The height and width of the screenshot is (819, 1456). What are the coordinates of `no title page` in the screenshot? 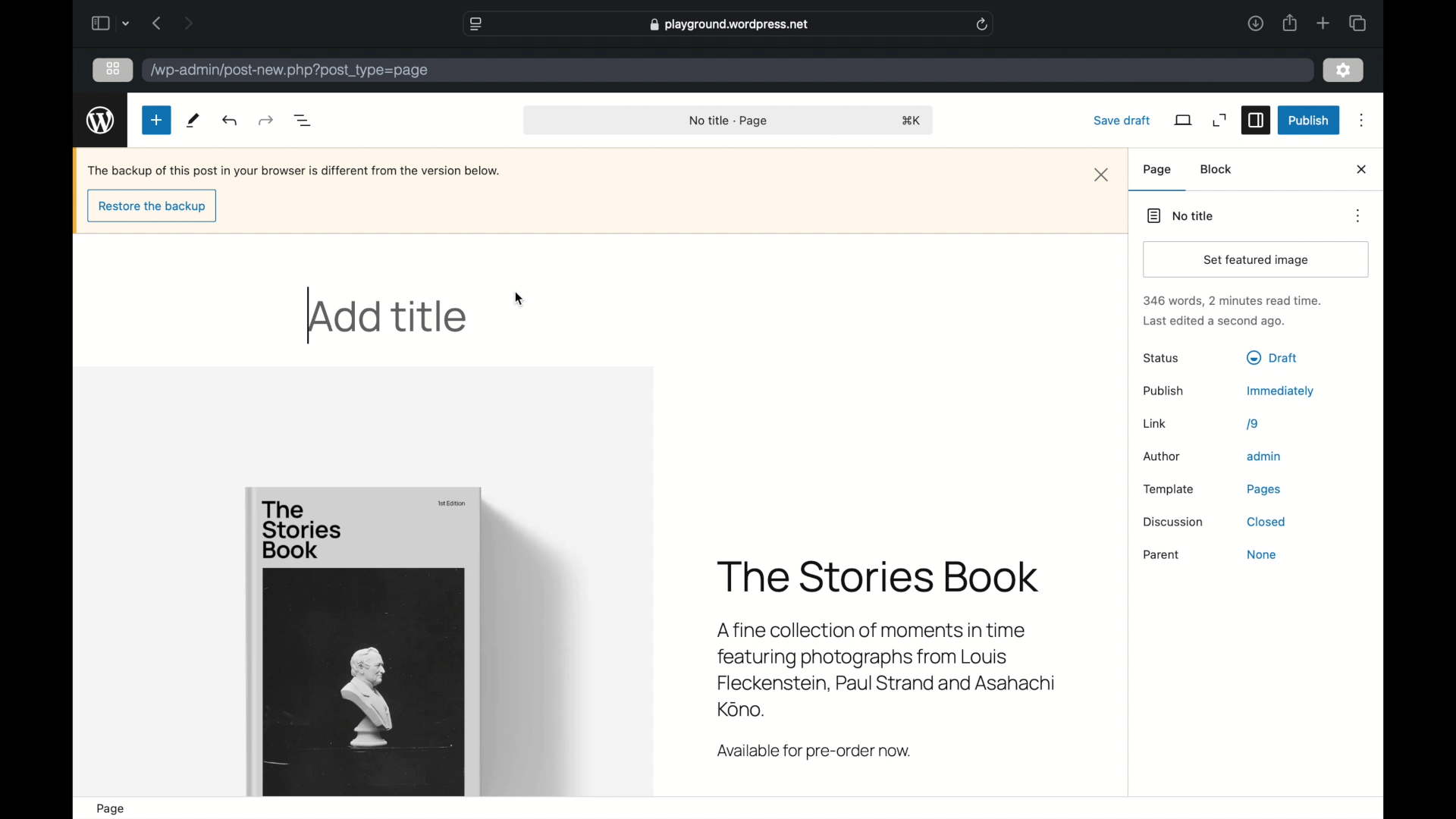 It's located at (728, 121).